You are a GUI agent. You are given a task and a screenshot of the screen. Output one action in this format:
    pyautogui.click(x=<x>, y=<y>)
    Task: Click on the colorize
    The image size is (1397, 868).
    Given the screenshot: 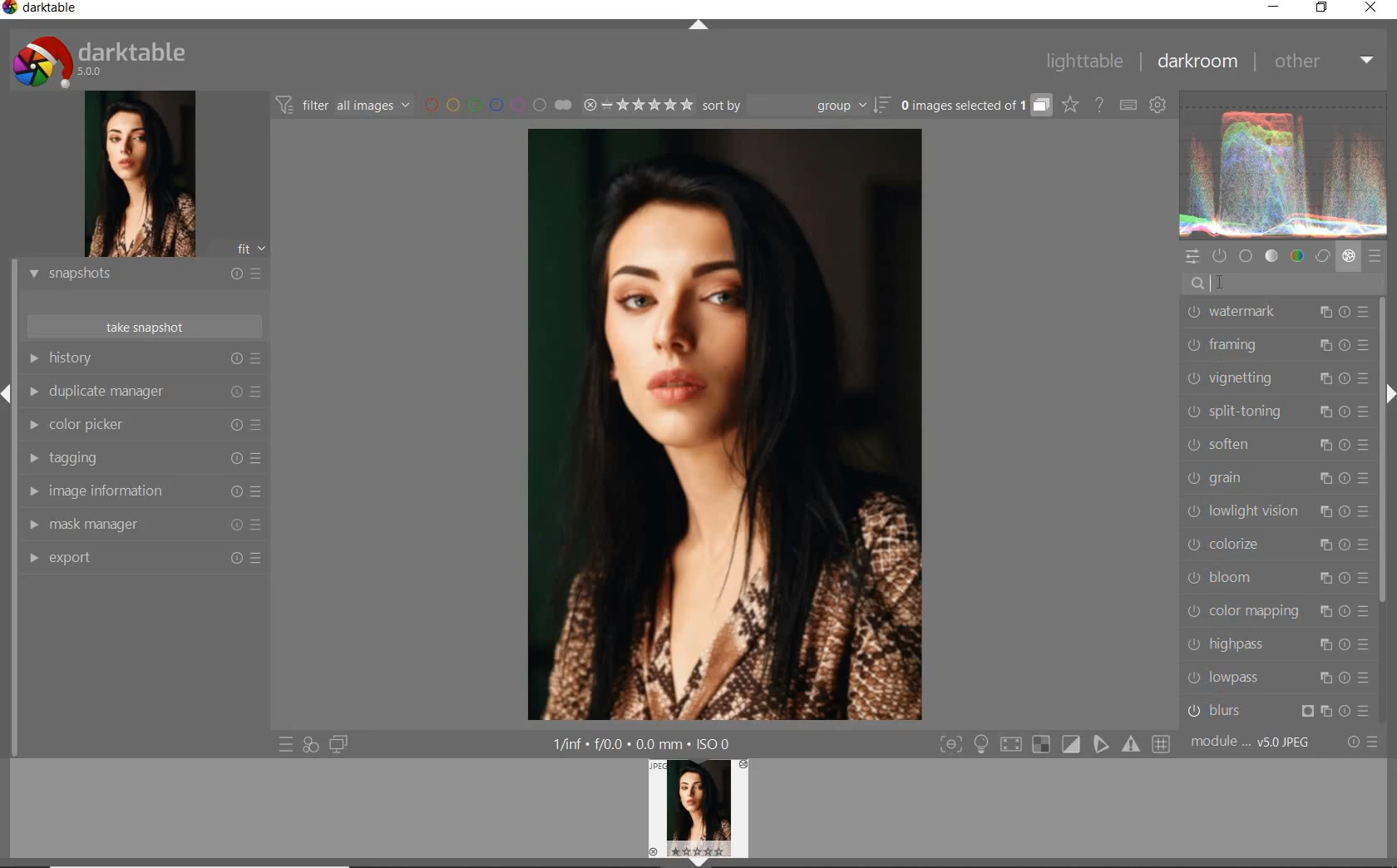 What is the action you would take?
    pyautogui.click(x=1278, y=546)
    